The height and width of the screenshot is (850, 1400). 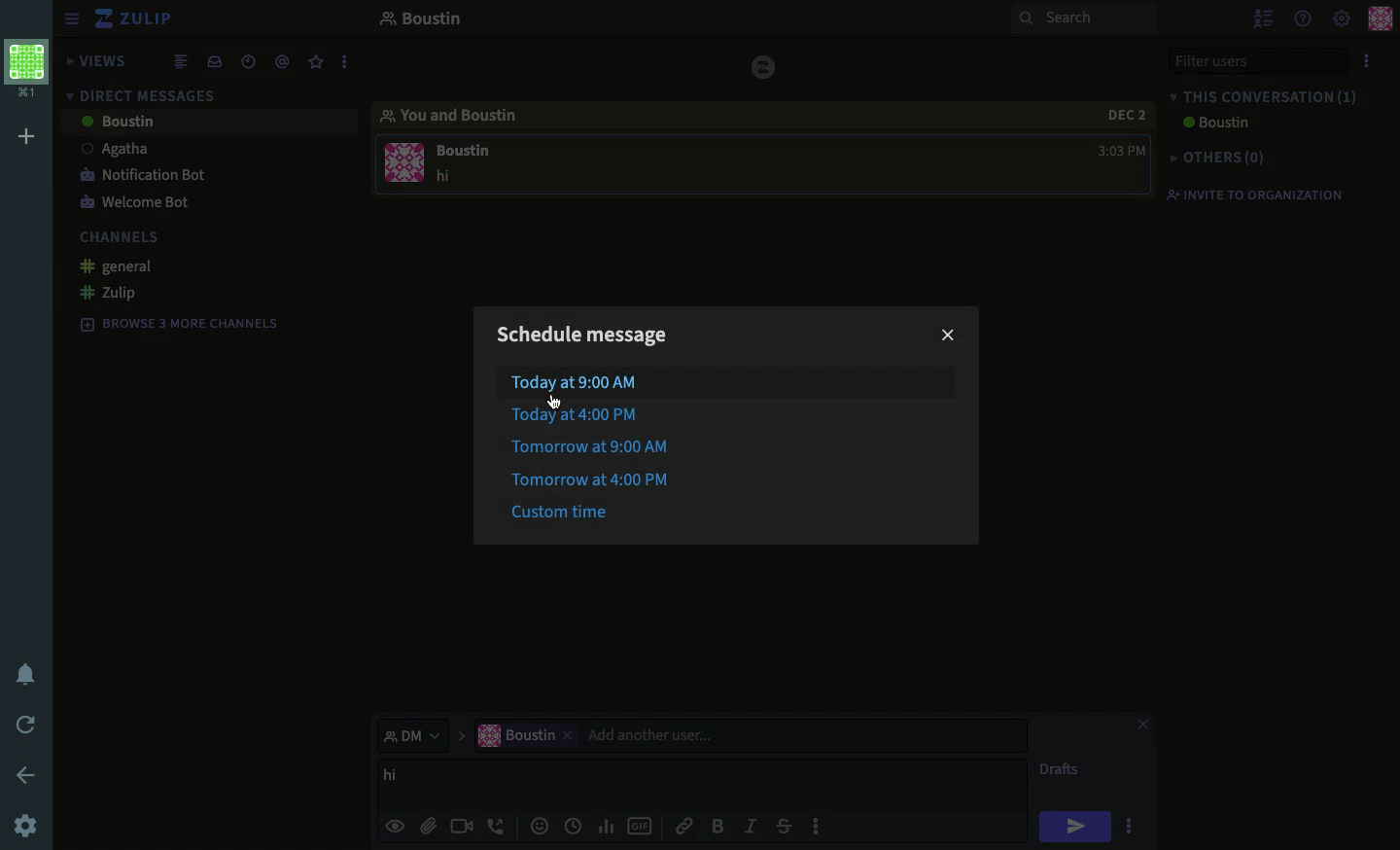 I want to click on time 3:03 PM, so click(x=1116, y=151).